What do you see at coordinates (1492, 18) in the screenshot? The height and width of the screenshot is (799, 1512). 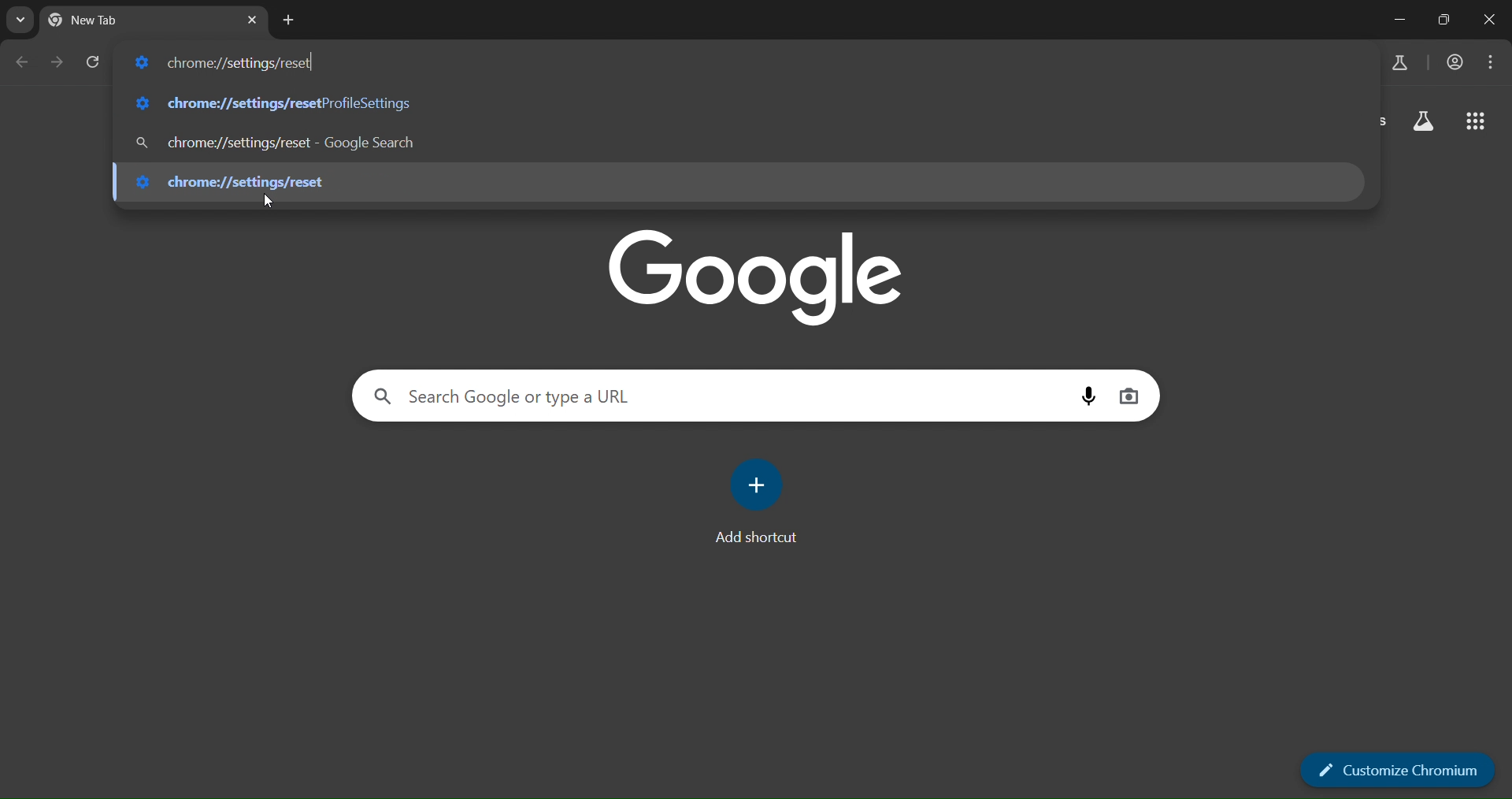 I see `Close` at bounding box center [1492, 18].